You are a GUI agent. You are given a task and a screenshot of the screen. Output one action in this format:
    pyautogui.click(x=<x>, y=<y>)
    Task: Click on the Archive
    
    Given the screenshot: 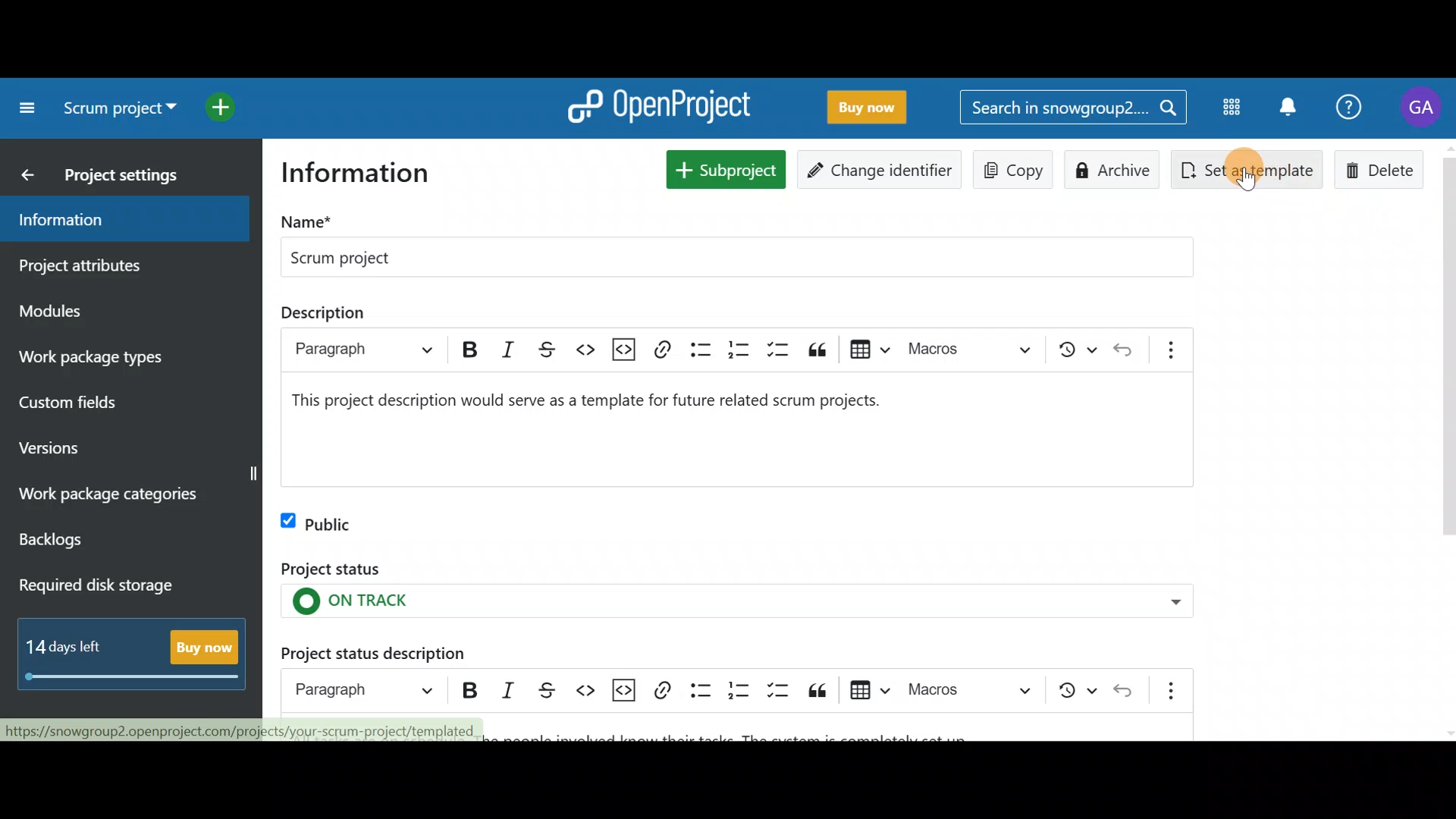 What is the action you would take?
    pyautogui.click(x=1119, y=167)
    